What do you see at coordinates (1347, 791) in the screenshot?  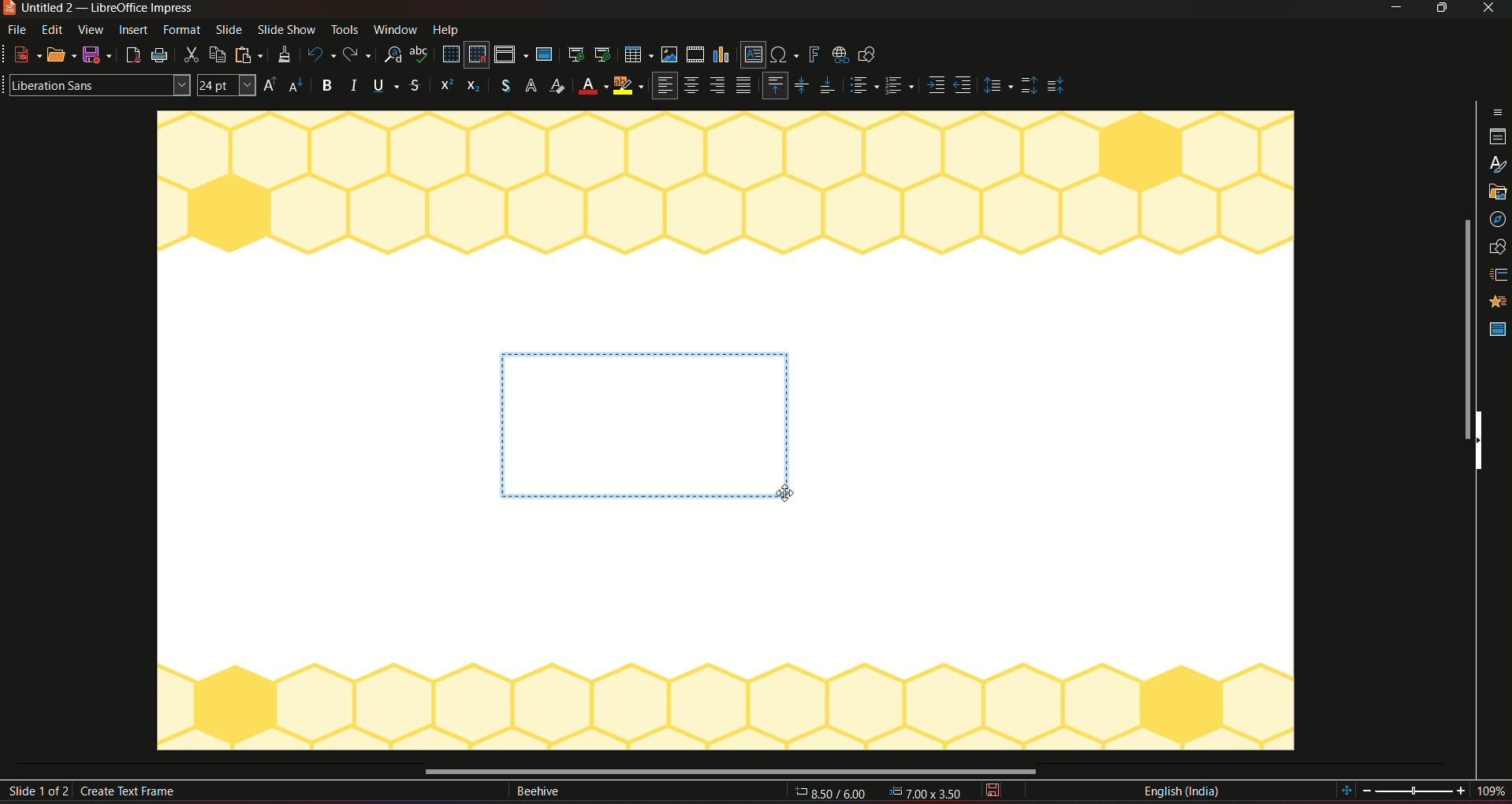 I see `fit slide to current view` at bounding box center [1347, 791].